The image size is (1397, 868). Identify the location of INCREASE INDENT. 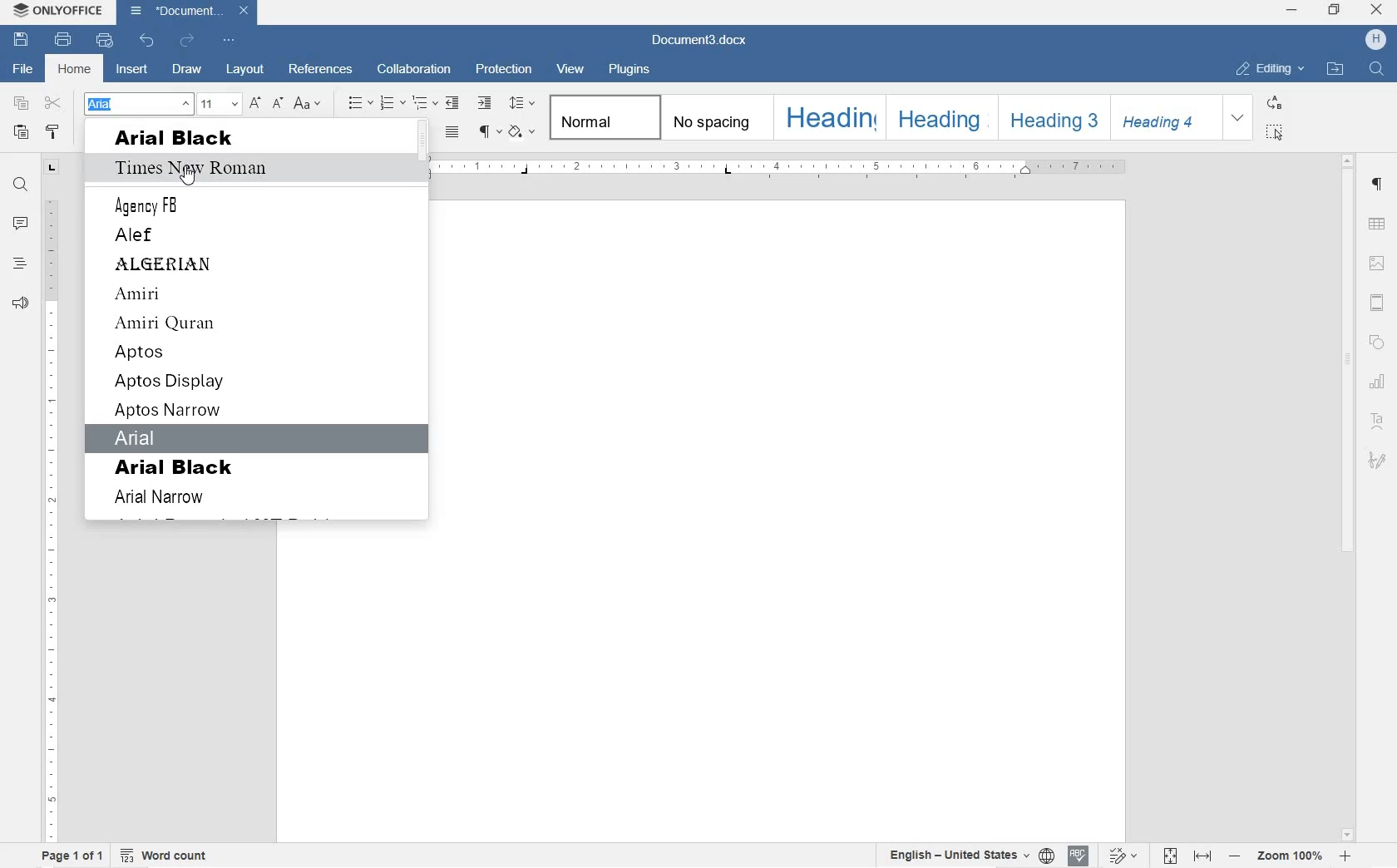
(486, 104).